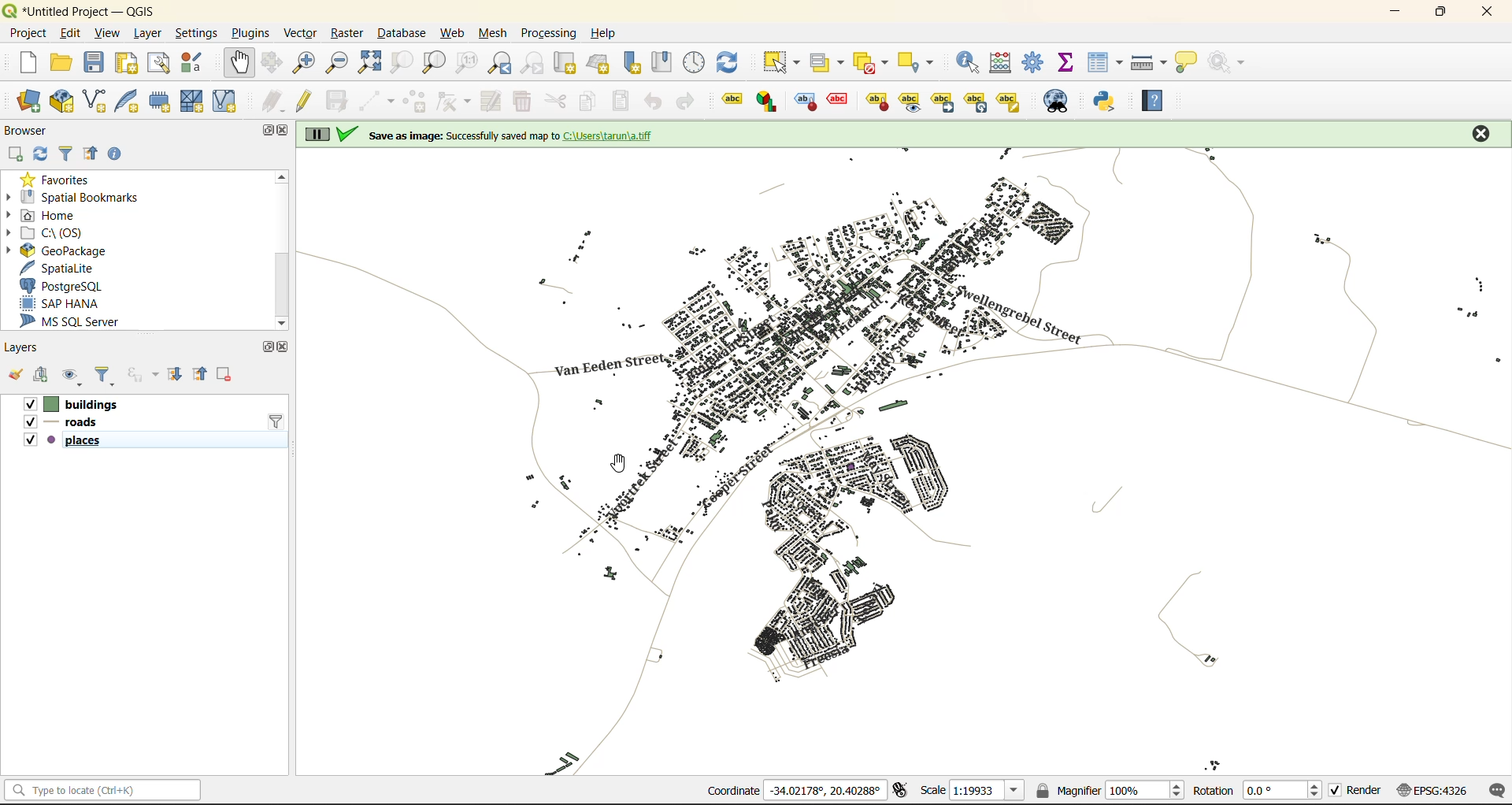  What do you see at coordinates (533, 62) in the screenshot?
I see `zoom next` at bounding box center [533, 62].